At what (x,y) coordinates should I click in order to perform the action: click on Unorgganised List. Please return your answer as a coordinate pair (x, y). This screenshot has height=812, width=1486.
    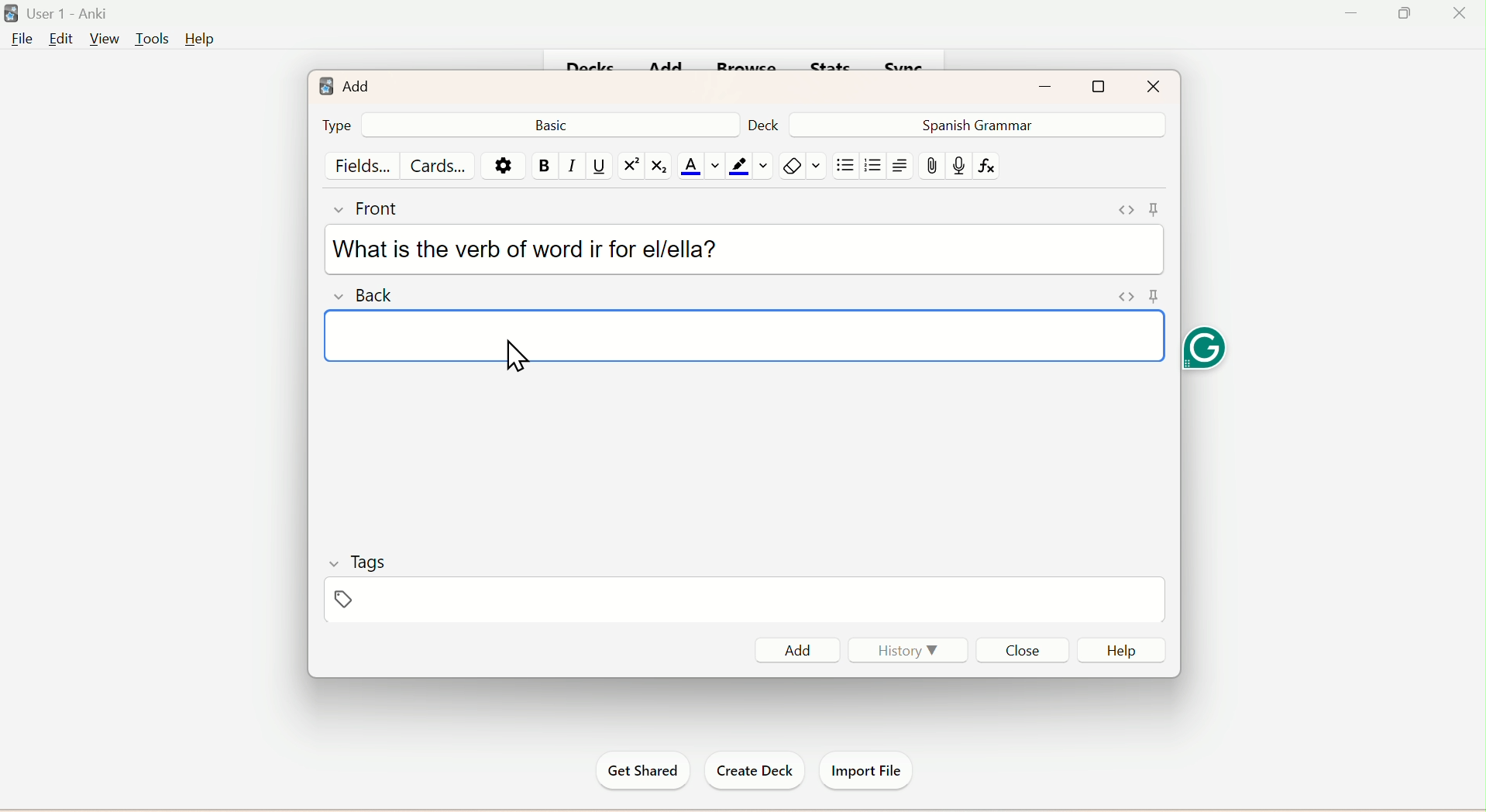
    Looking at the image, I should click on (845, 166).